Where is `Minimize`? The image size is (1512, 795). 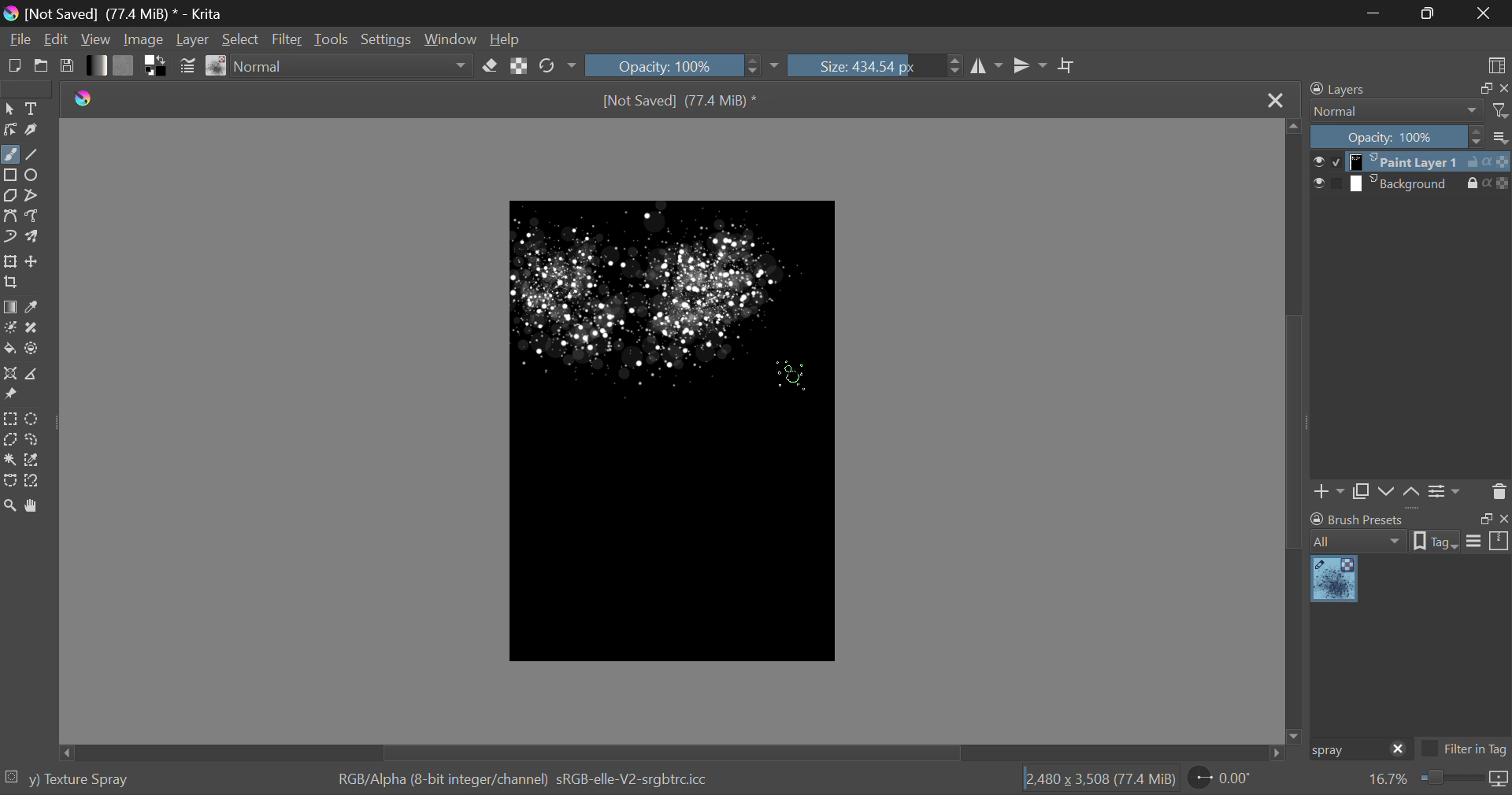
Minimize is located at coordinates (1431, 12).